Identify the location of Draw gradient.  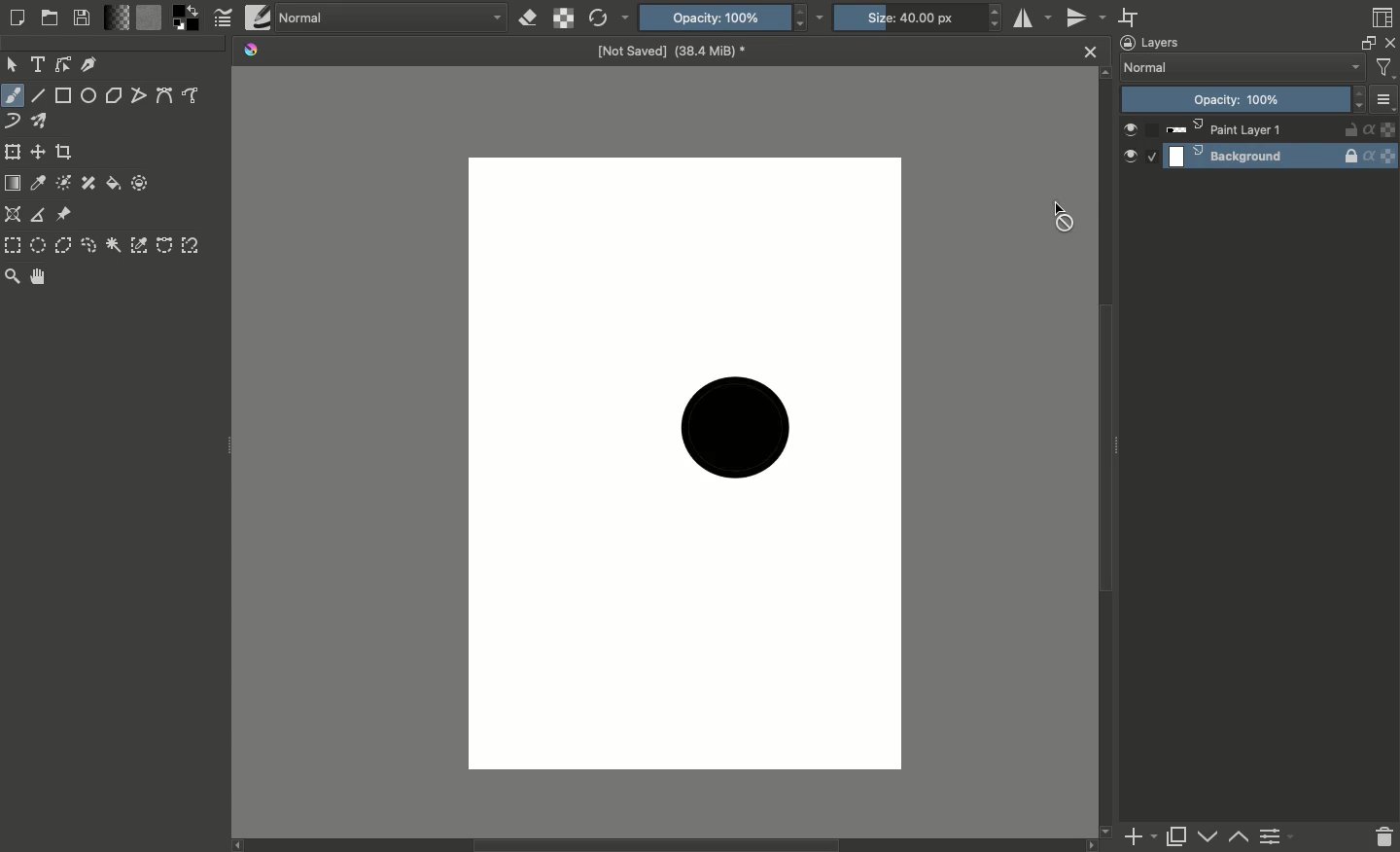
(16, 185).